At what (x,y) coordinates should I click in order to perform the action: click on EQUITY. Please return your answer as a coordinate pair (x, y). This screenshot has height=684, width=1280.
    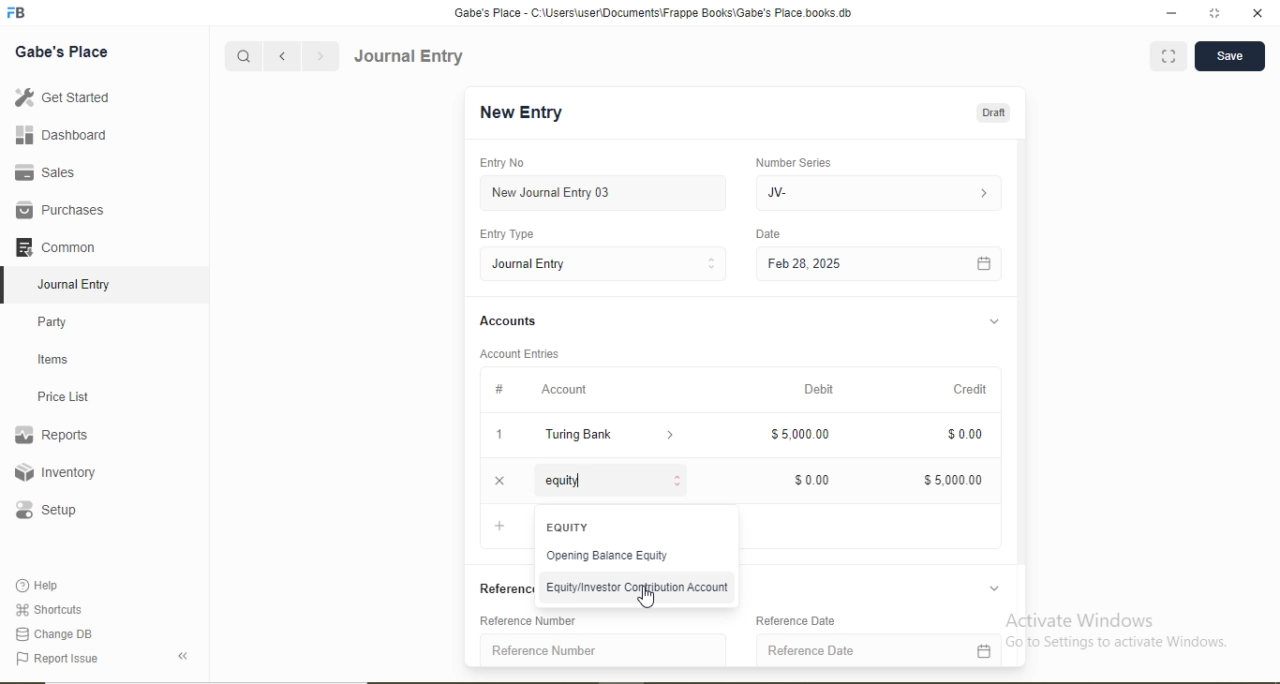
    Looking at the image, I should click on (567, 525).